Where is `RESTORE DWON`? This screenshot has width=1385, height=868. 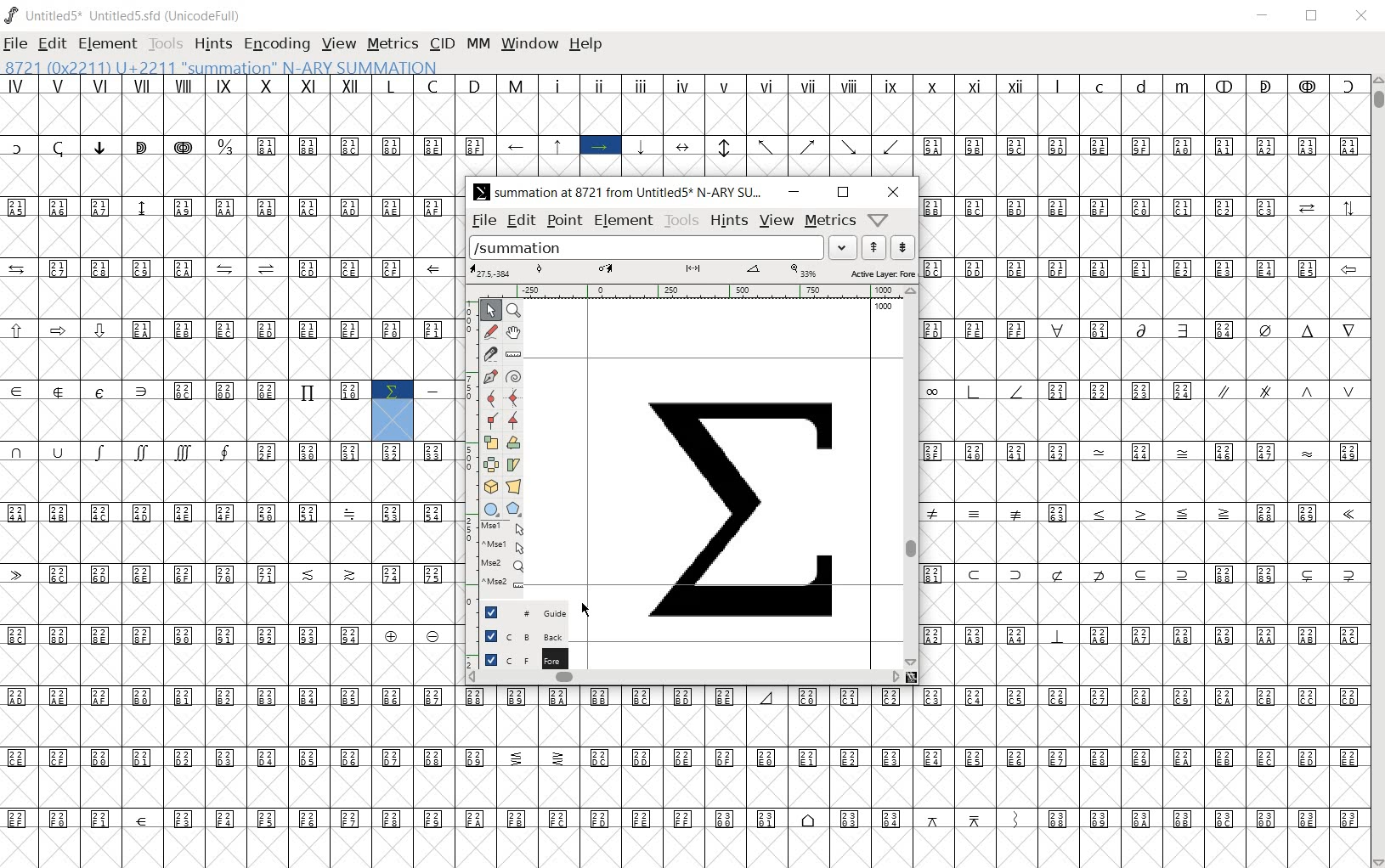 RESTORE DWON is located at coordinates (1312, 17).